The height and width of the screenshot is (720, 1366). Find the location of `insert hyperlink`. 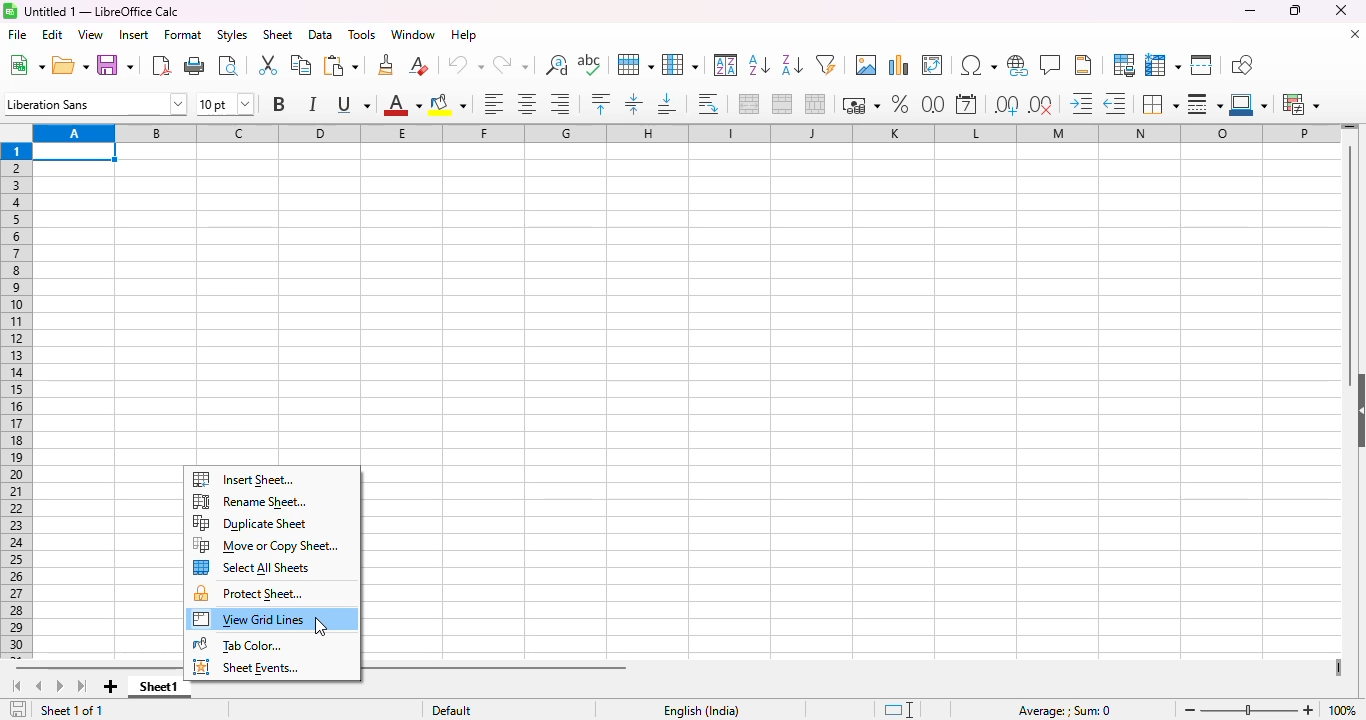

insert hyperlink is located at coordinates (1018, 65).